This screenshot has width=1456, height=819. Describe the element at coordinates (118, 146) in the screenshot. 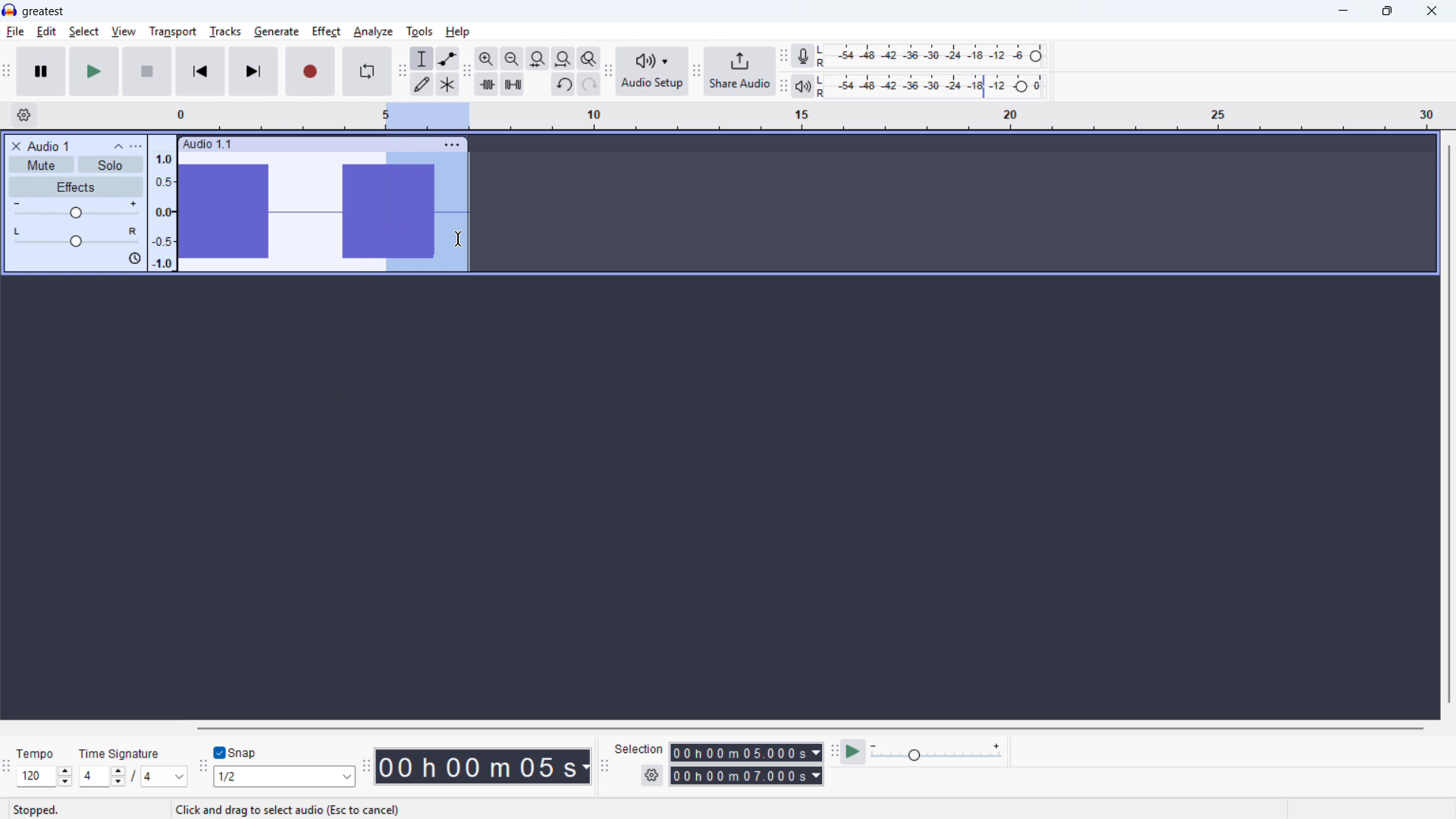

I see `Collapse ` at that location.